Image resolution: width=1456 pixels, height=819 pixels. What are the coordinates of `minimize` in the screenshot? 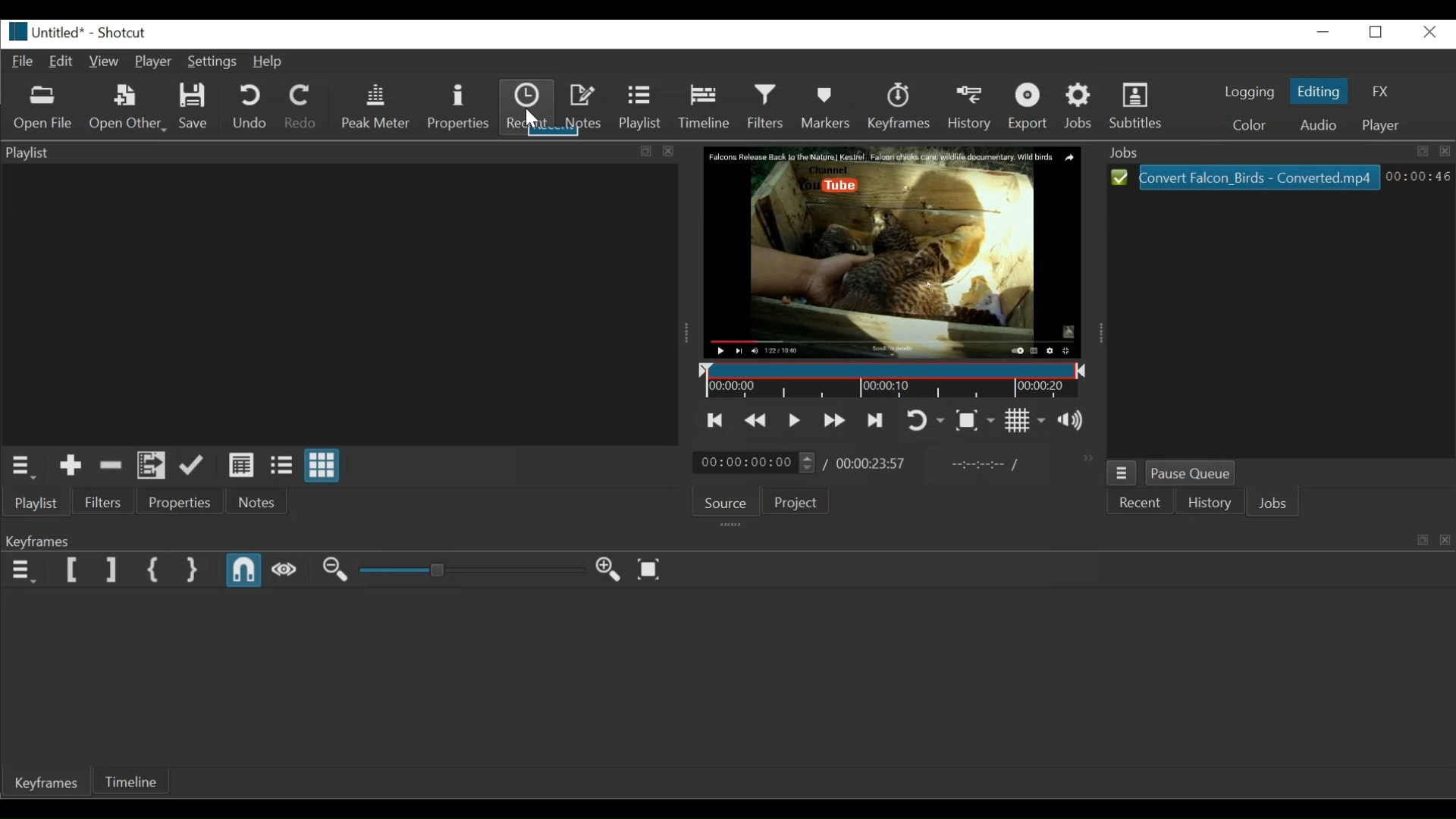 It's located at (1323, 32).